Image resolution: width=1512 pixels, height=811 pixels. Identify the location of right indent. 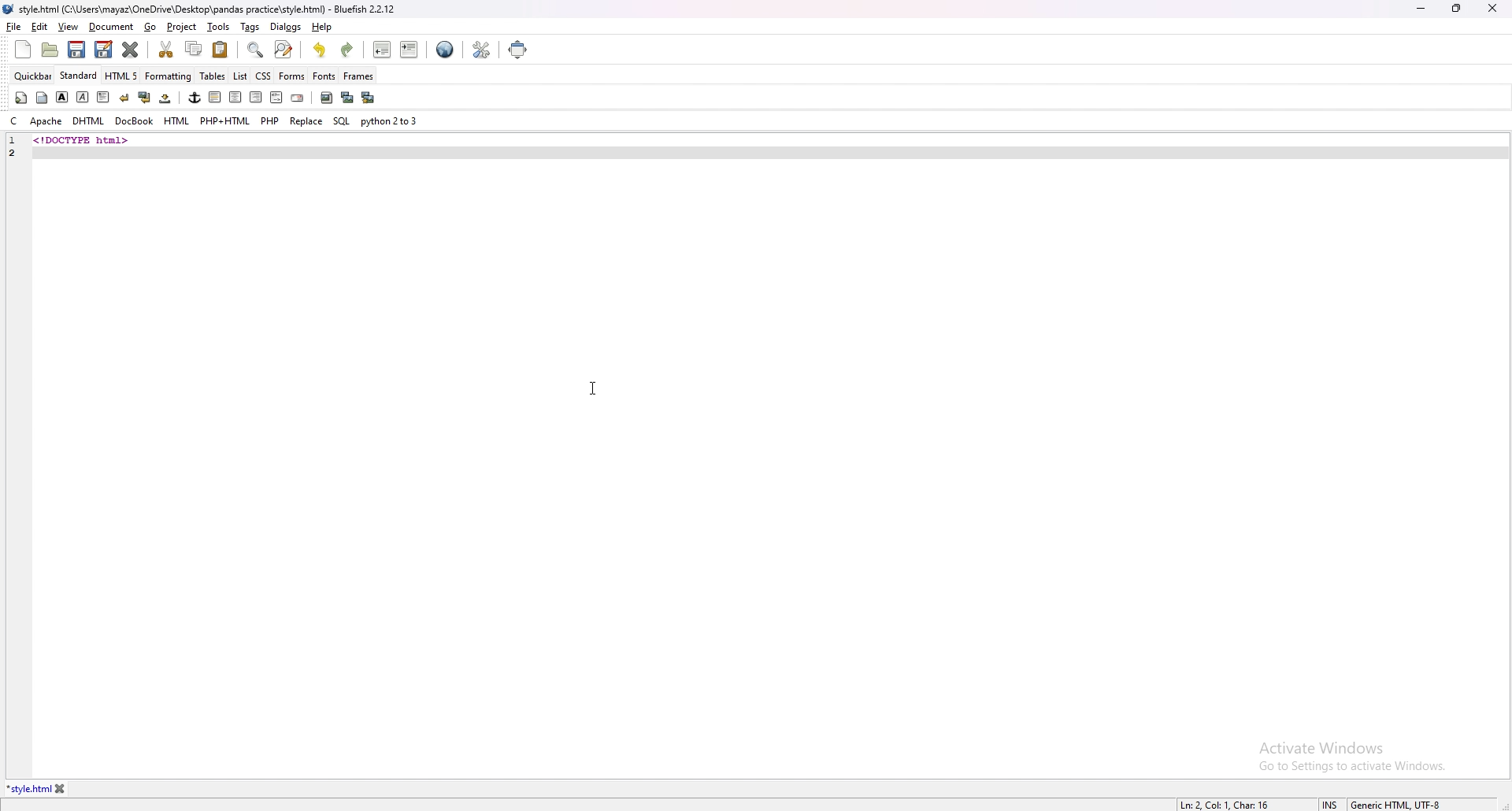
(254, 97).